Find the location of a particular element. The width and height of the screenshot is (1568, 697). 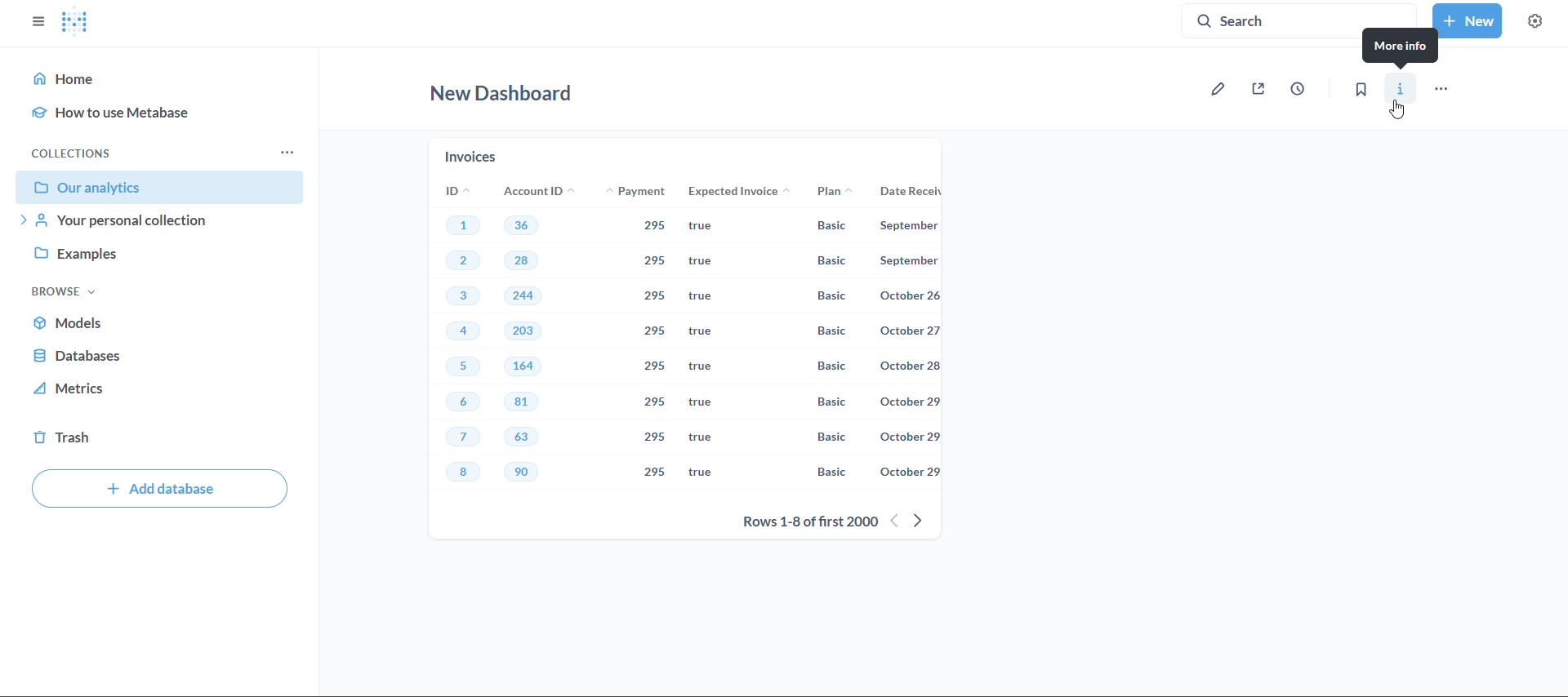

36 is located at coordinates (522, 224).